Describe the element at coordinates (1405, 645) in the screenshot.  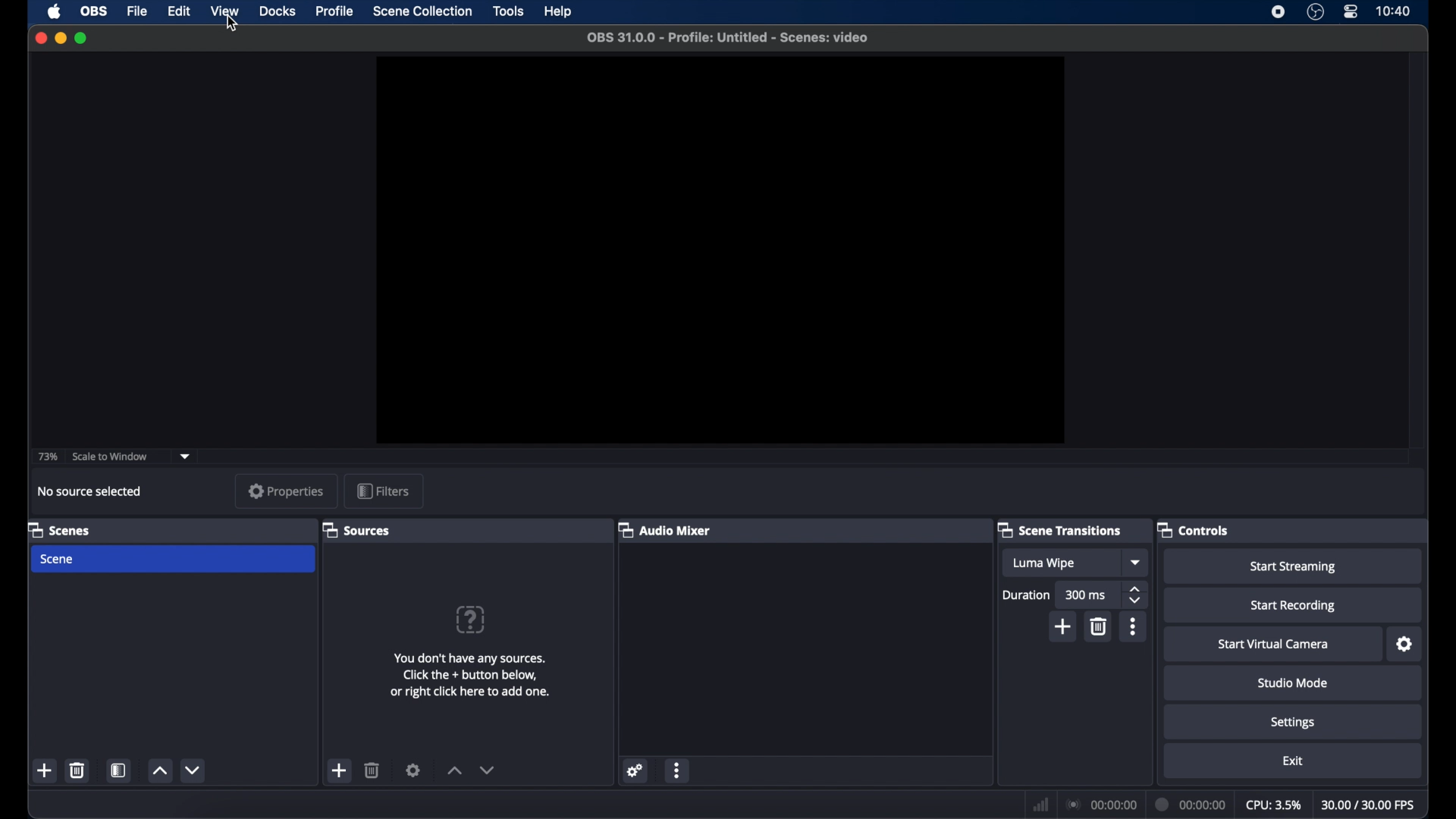
I see `settings` at that location.